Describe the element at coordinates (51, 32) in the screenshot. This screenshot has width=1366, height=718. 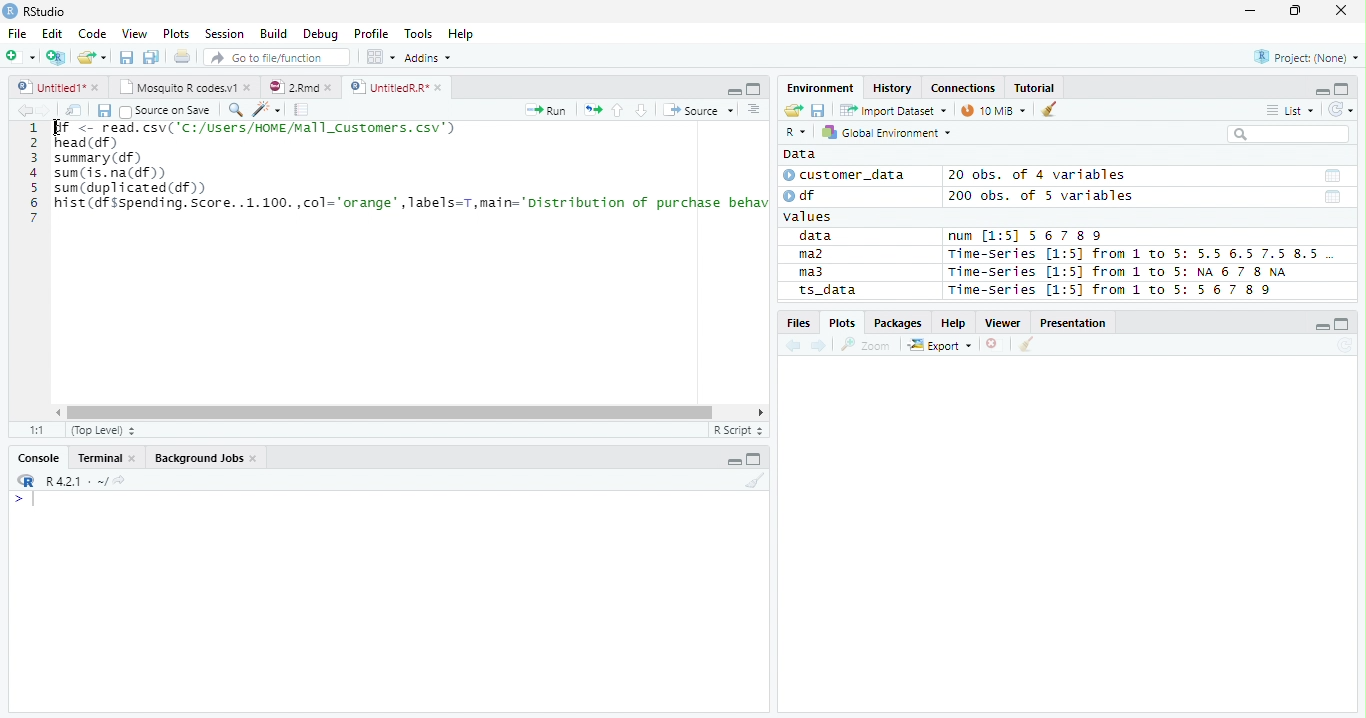
I see `Edit` at that location.